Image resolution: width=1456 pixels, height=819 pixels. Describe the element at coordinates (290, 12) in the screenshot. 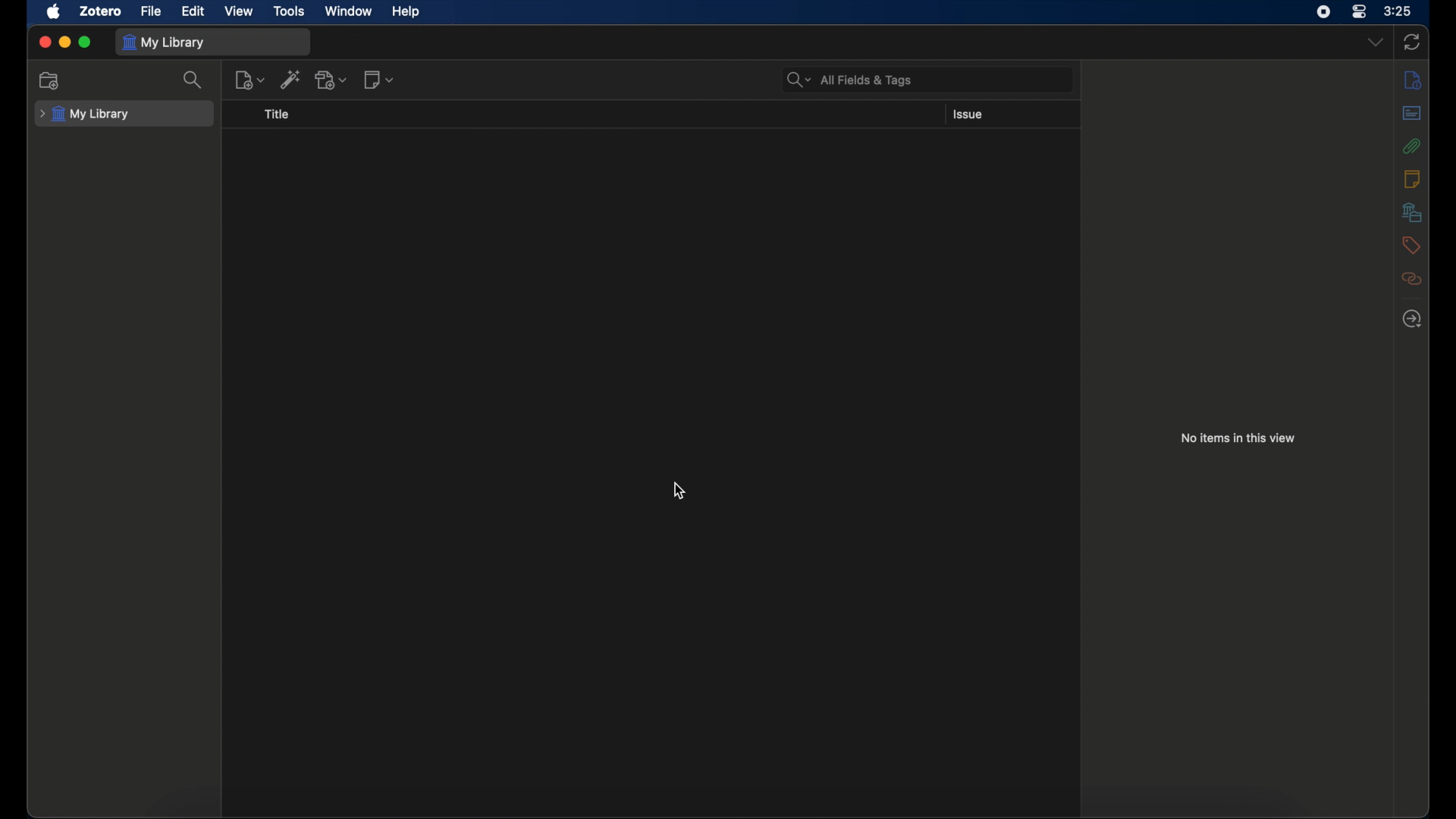

I see `tools` at that location.